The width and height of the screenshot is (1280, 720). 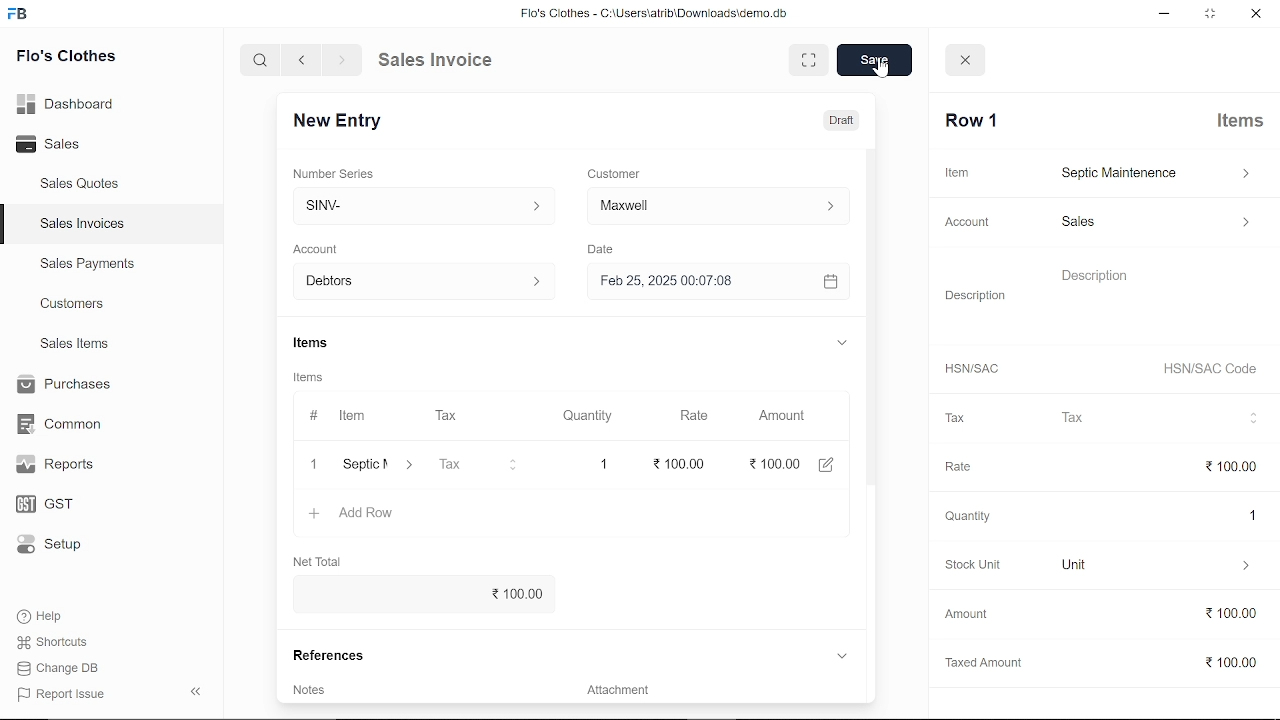 I want to click on Description, so click(x=976, y=293).